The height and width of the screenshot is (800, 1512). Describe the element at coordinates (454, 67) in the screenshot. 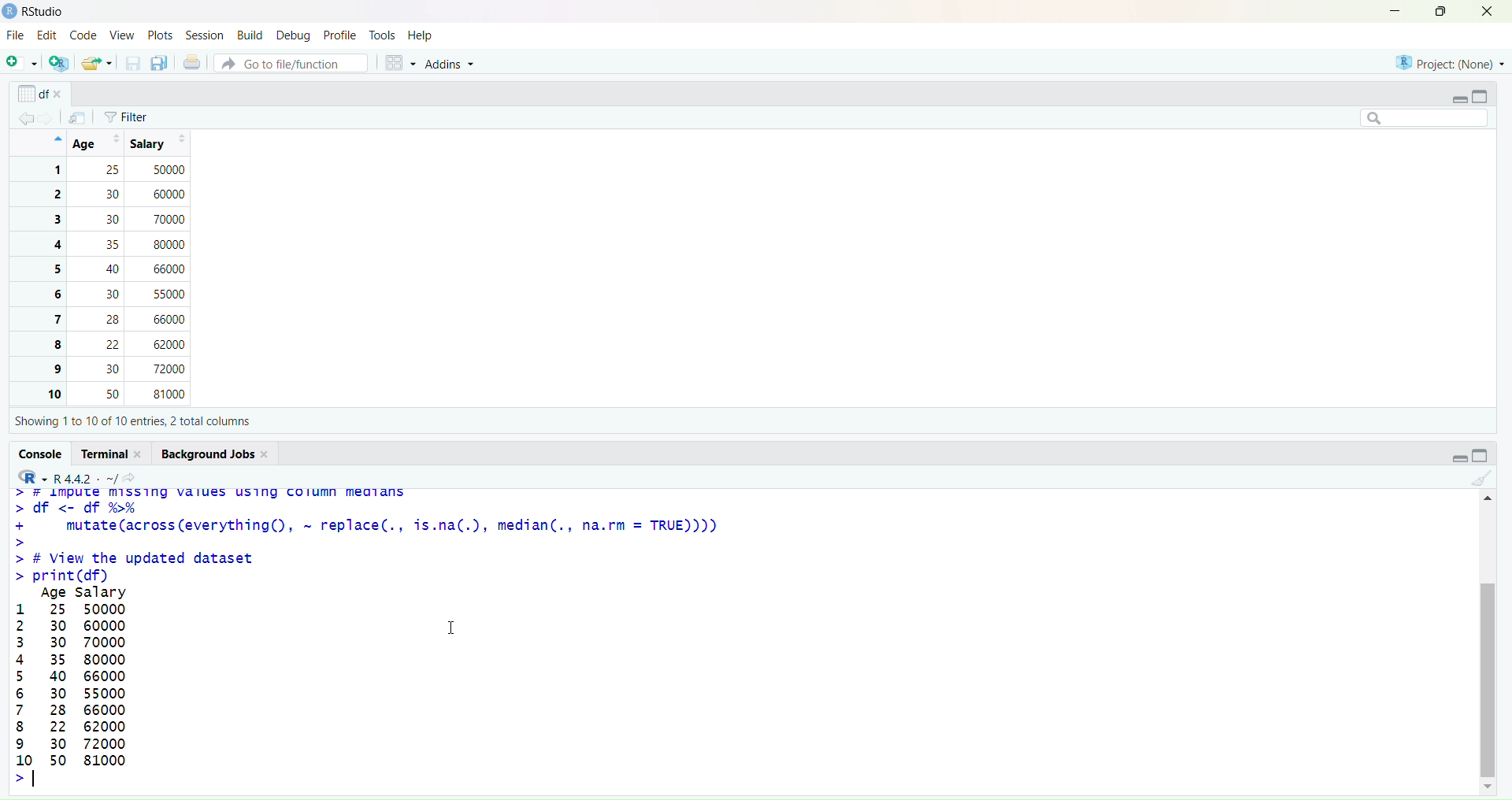

I see `addins` at that location.